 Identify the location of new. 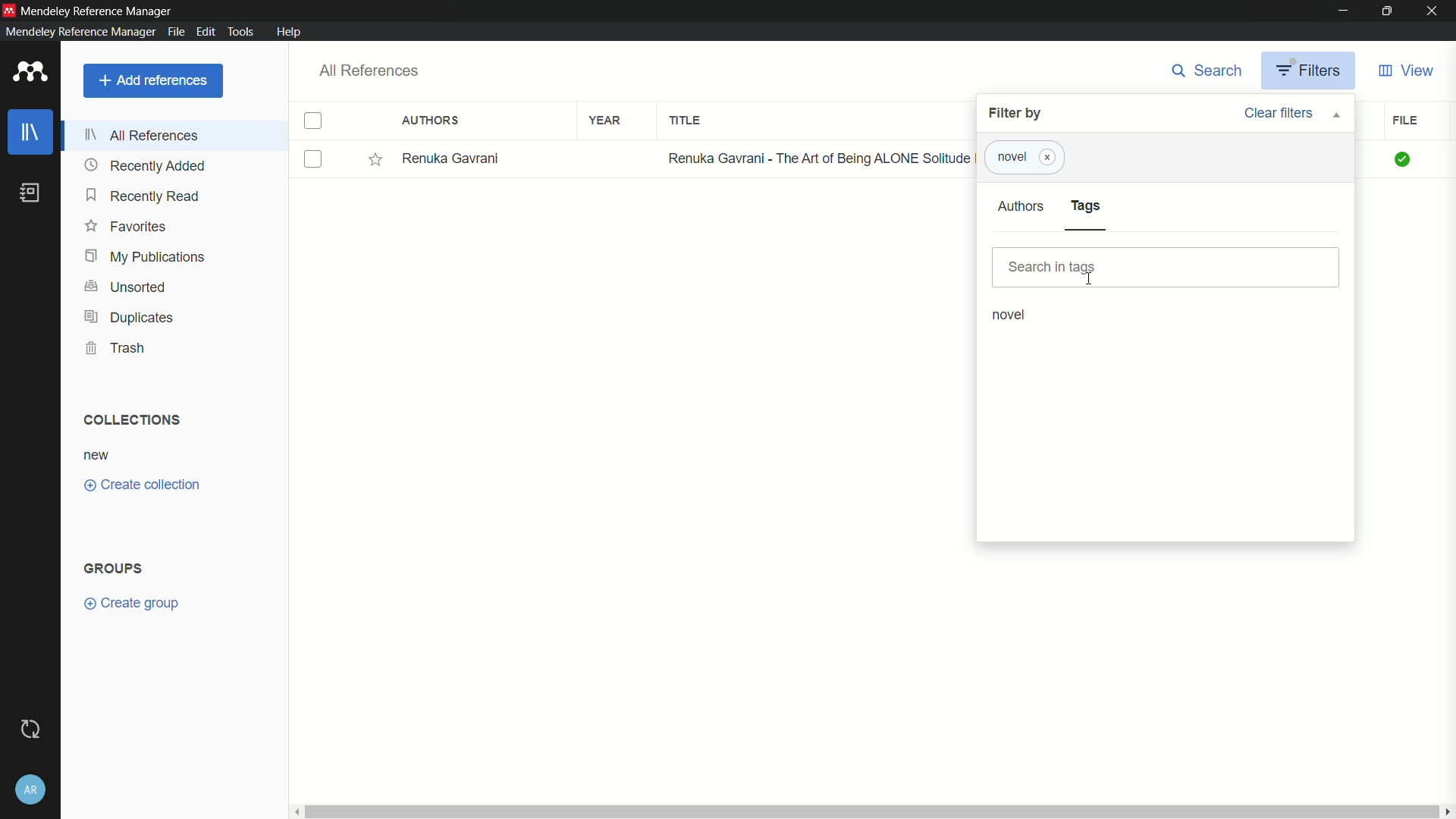
(97, 457).